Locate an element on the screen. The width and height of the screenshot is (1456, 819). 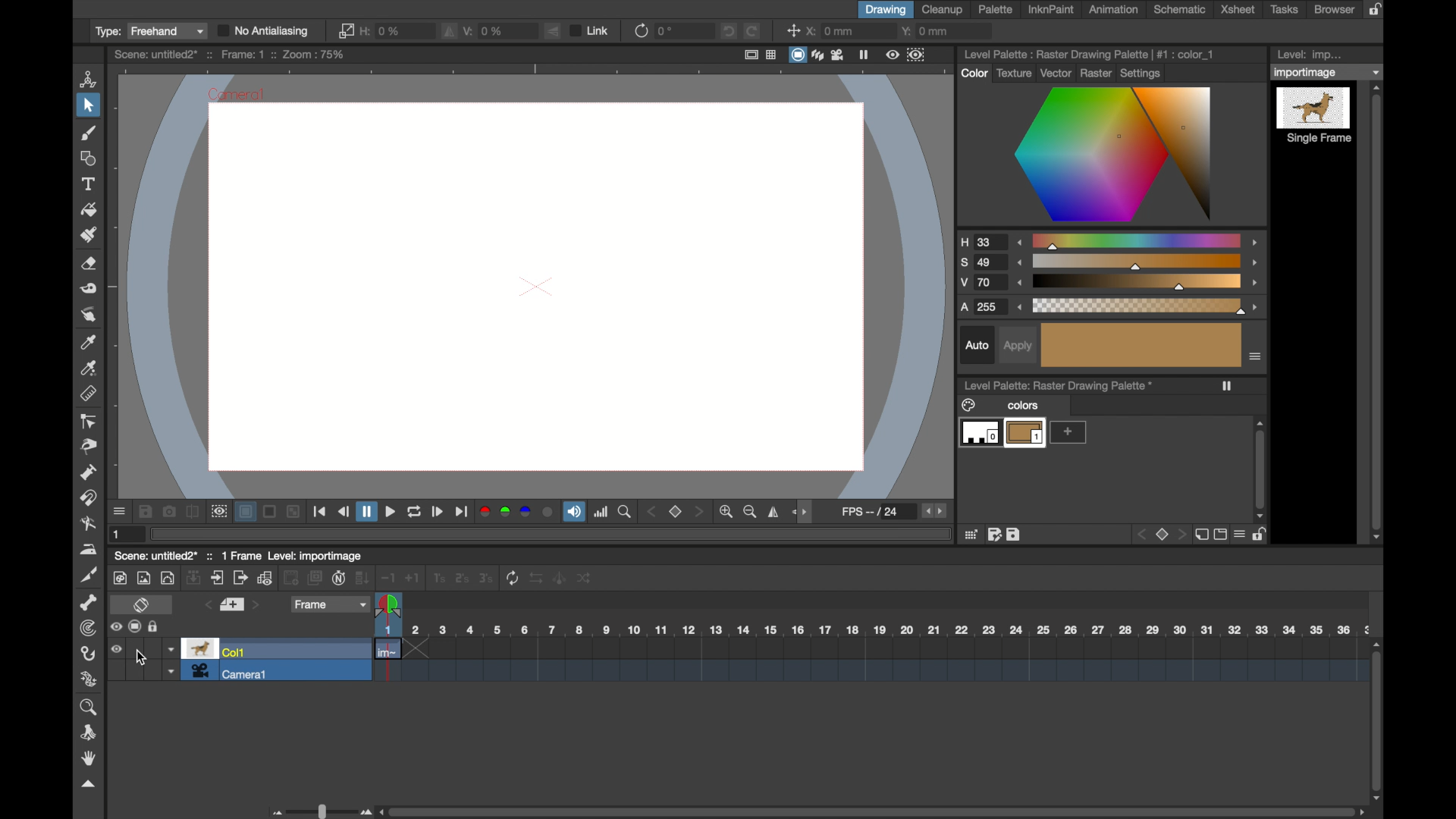
S is located at coordinates (981, 263).